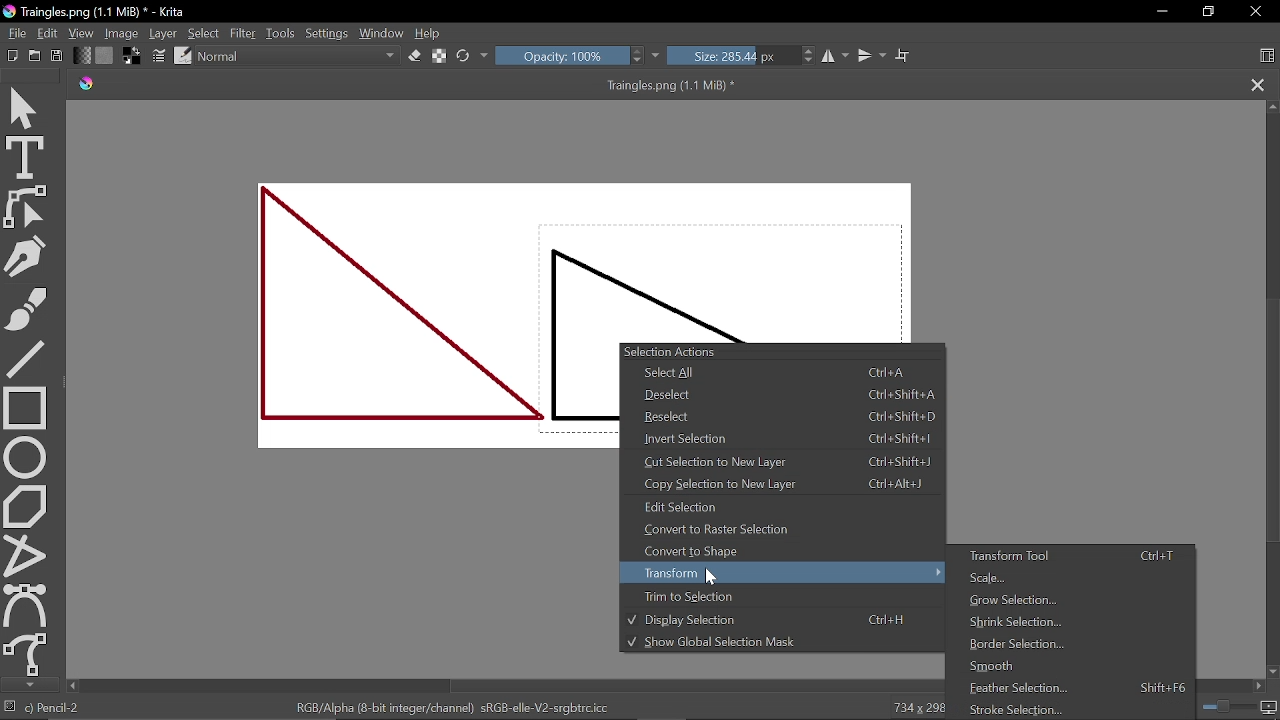 The height and width of the screenshot is (720, 1280). What do you see at coordinates (1073, 711) in the screenshot?
I see `Stroke selection` at bounding box center [1073, 711].